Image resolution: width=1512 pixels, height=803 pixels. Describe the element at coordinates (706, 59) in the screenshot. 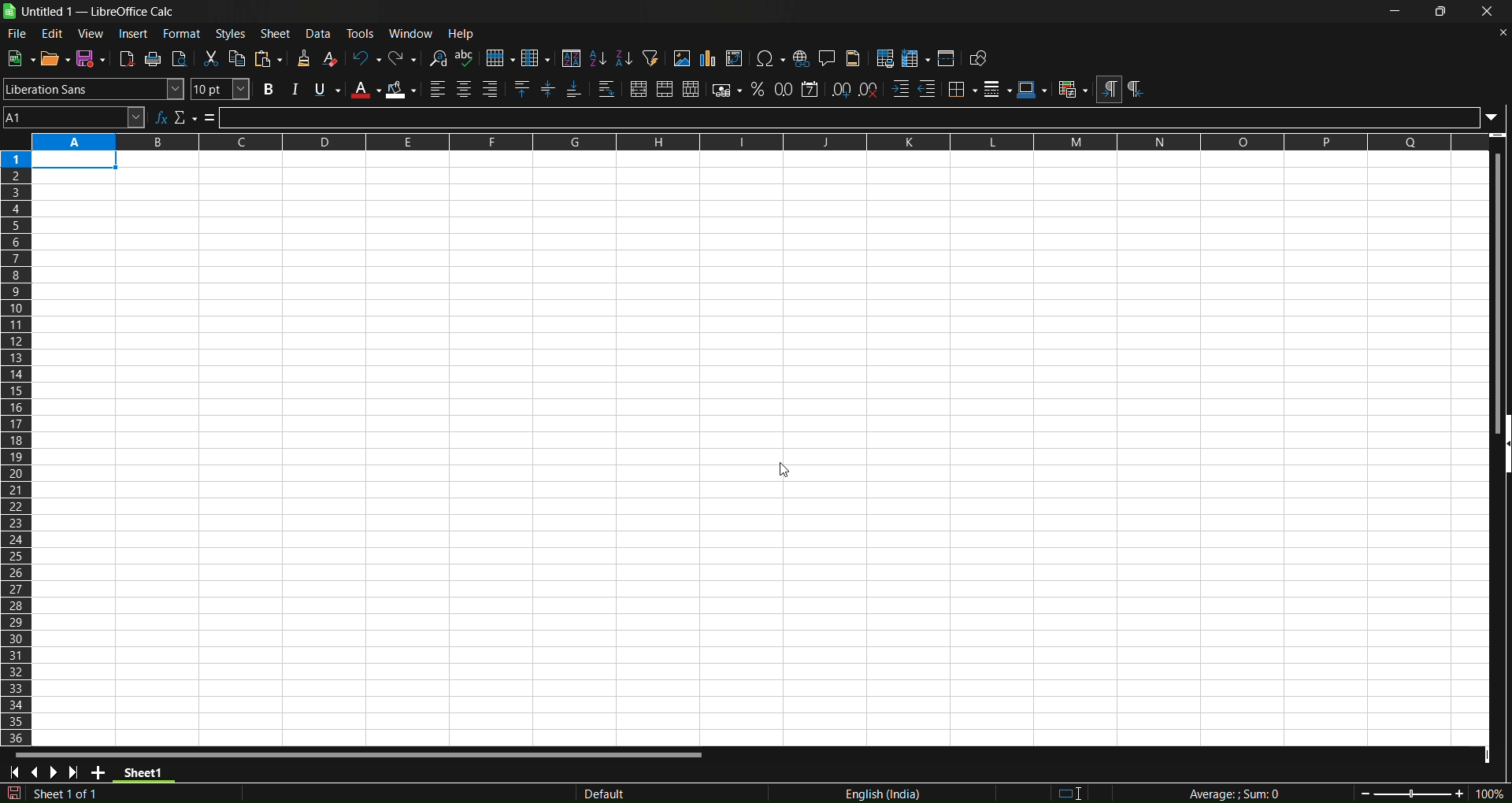

I see `insert chart` at that location.